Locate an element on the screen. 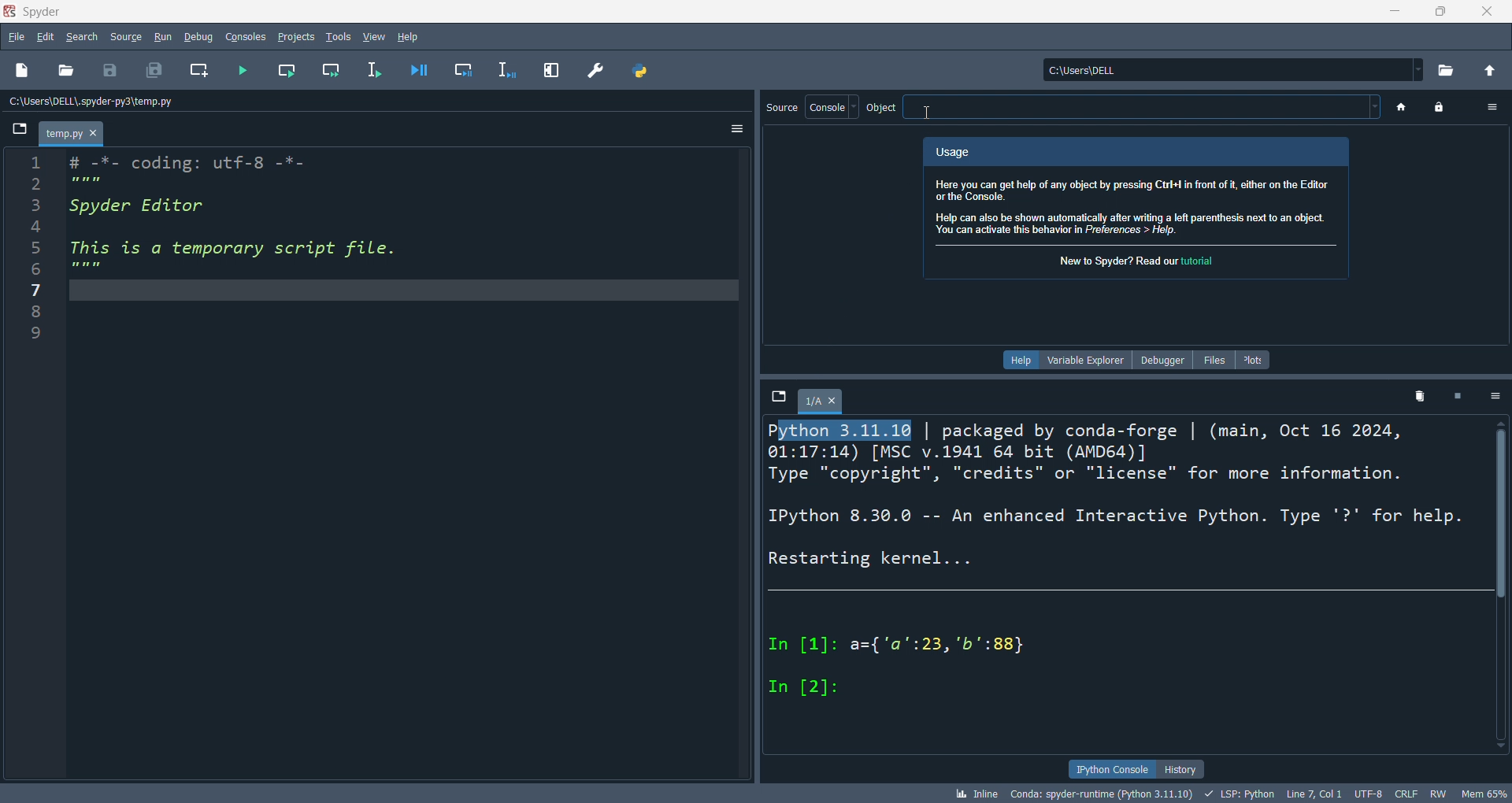  cursor is located at coordinates (929, 111).